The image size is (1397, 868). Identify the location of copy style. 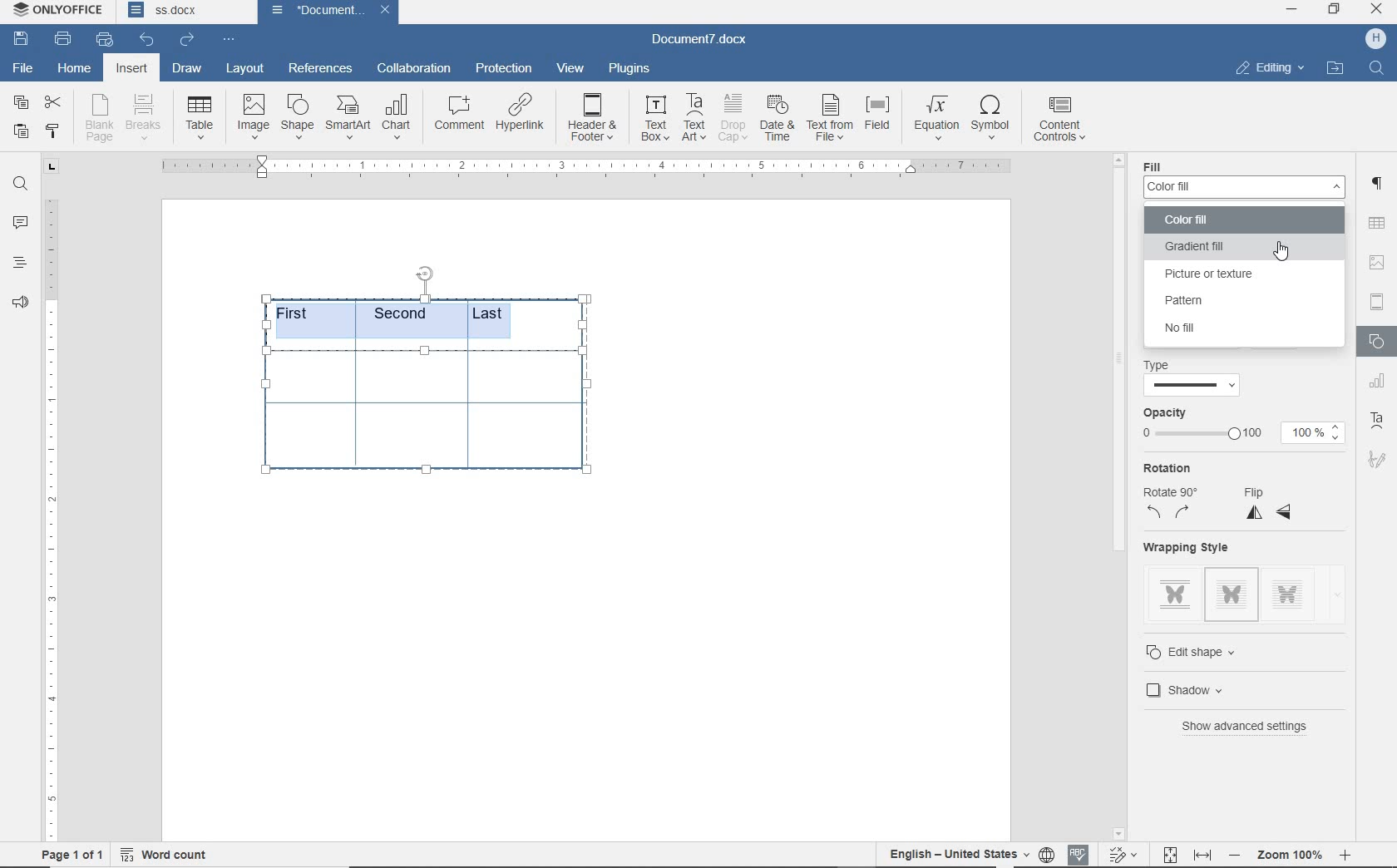
(51, 131).